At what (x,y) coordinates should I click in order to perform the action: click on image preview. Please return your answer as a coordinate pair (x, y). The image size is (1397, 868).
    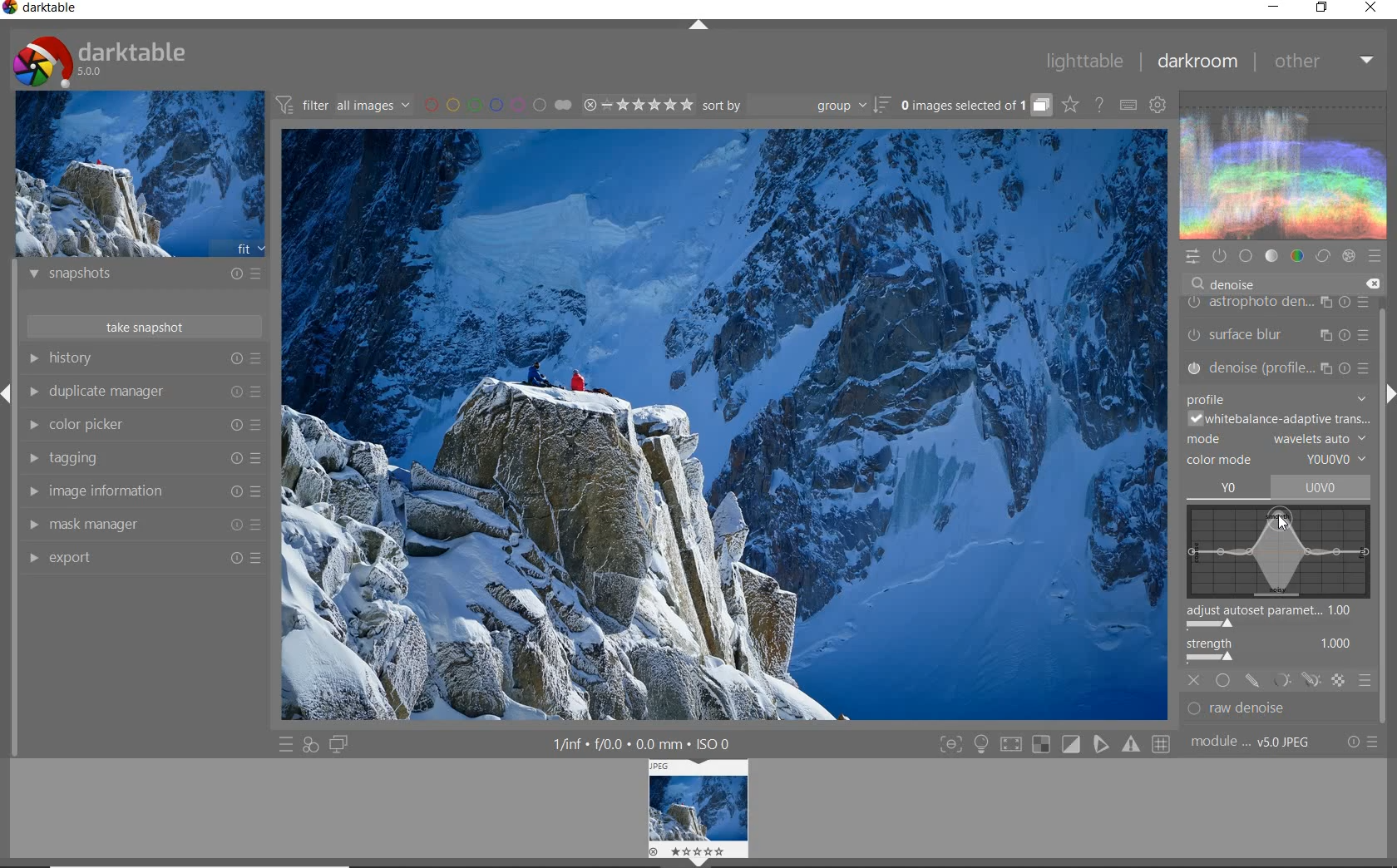
    Looking at the image, I should click on (139, 173).